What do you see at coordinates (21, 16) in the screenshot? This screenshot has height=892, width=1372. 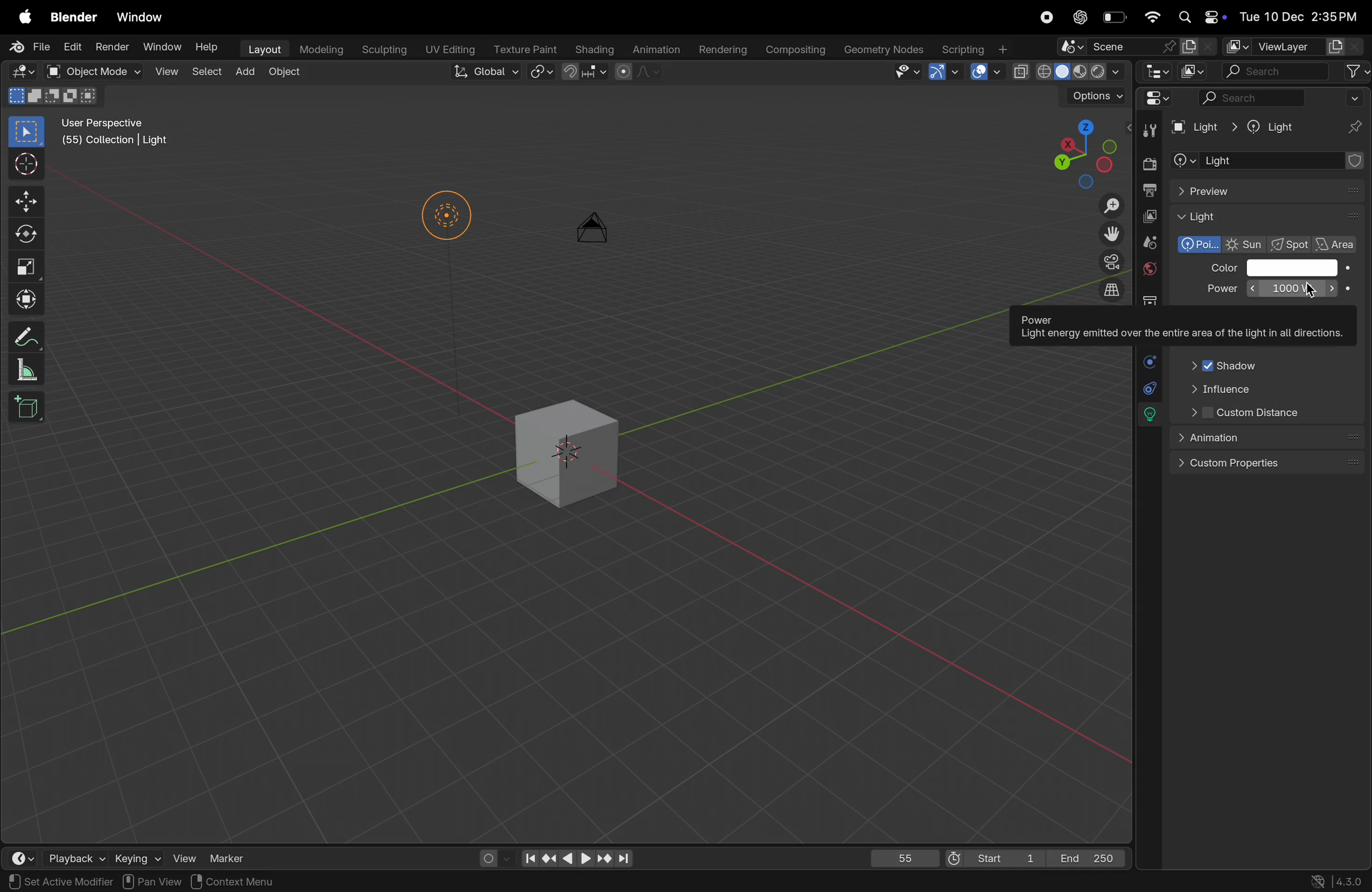 I see `apple menu` at bounding box center [21, 16].